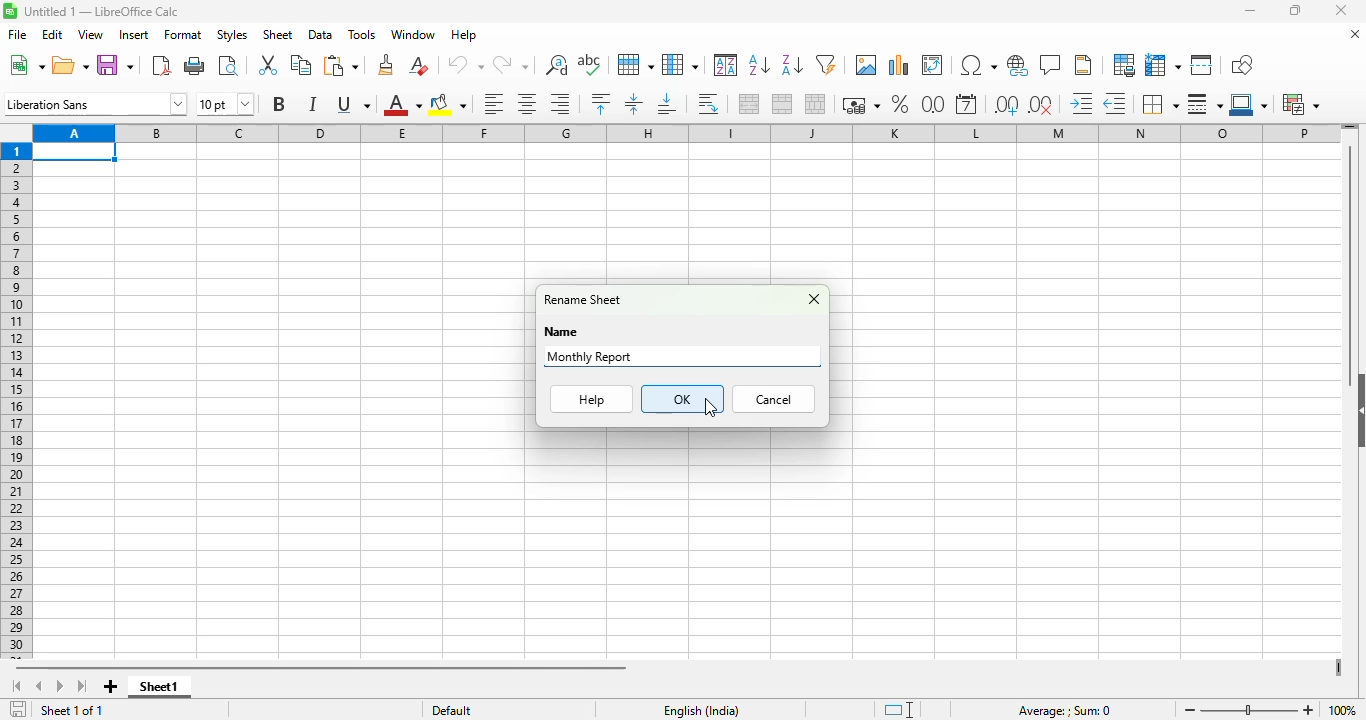  I want to click on freeze rows and columns, so click(1163, 64).